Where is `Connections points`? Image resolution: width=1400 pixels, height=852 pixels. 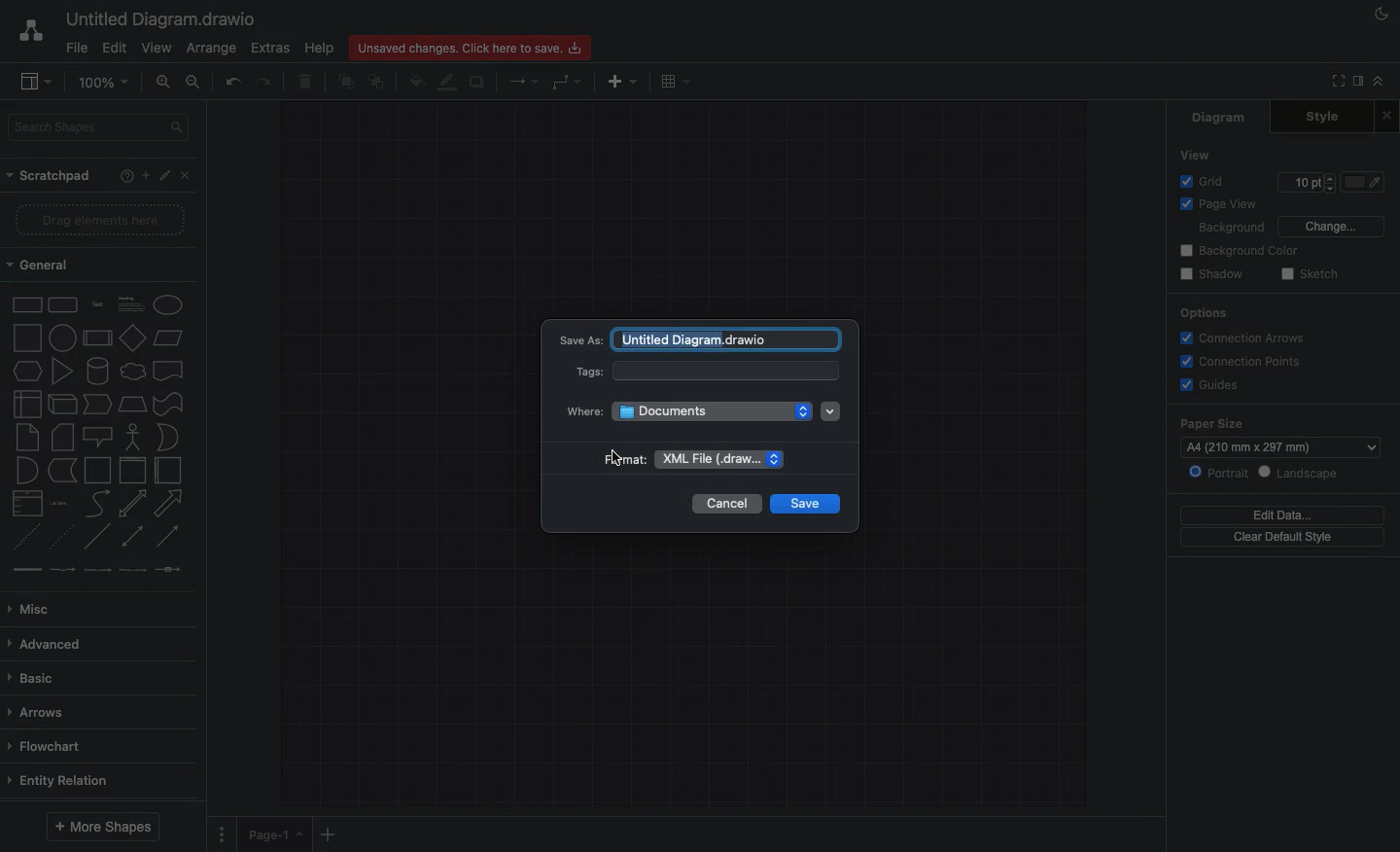 Connections points is located at coordinates (1242, 362).